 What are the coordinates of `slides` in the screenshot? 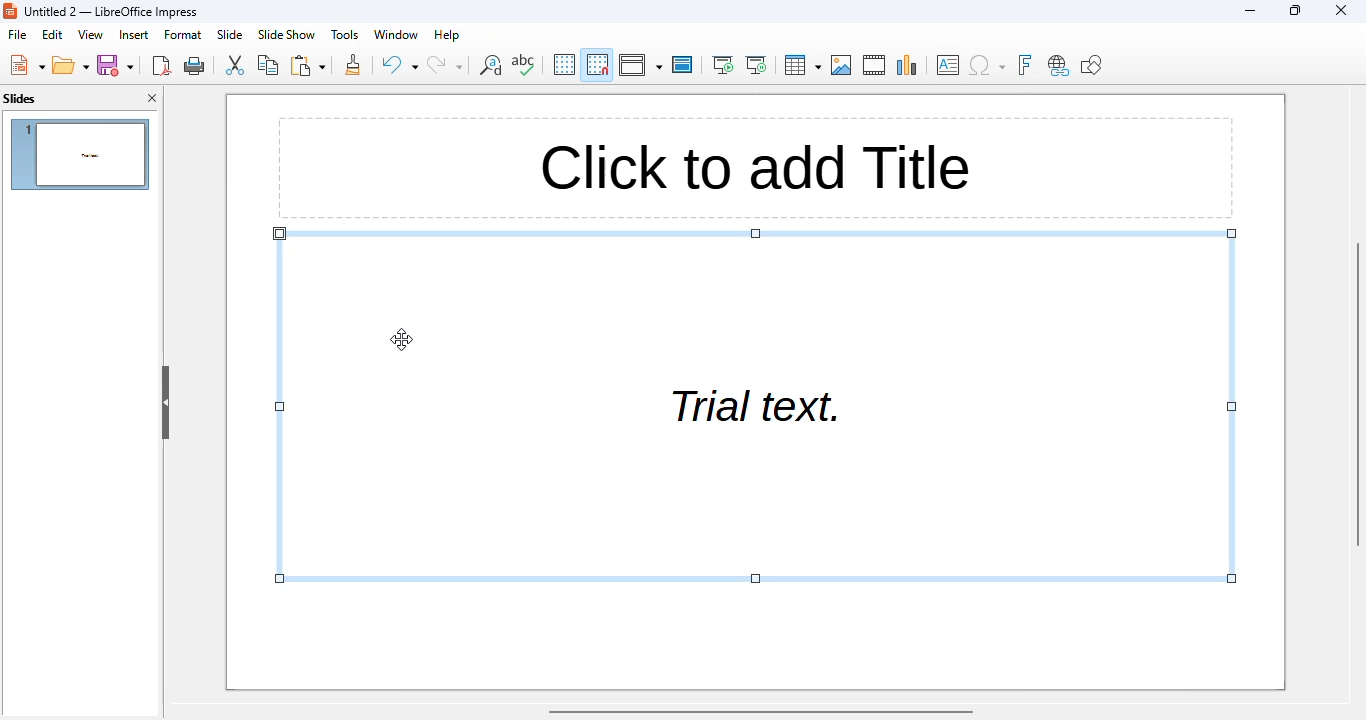 It's located at (20, 99).